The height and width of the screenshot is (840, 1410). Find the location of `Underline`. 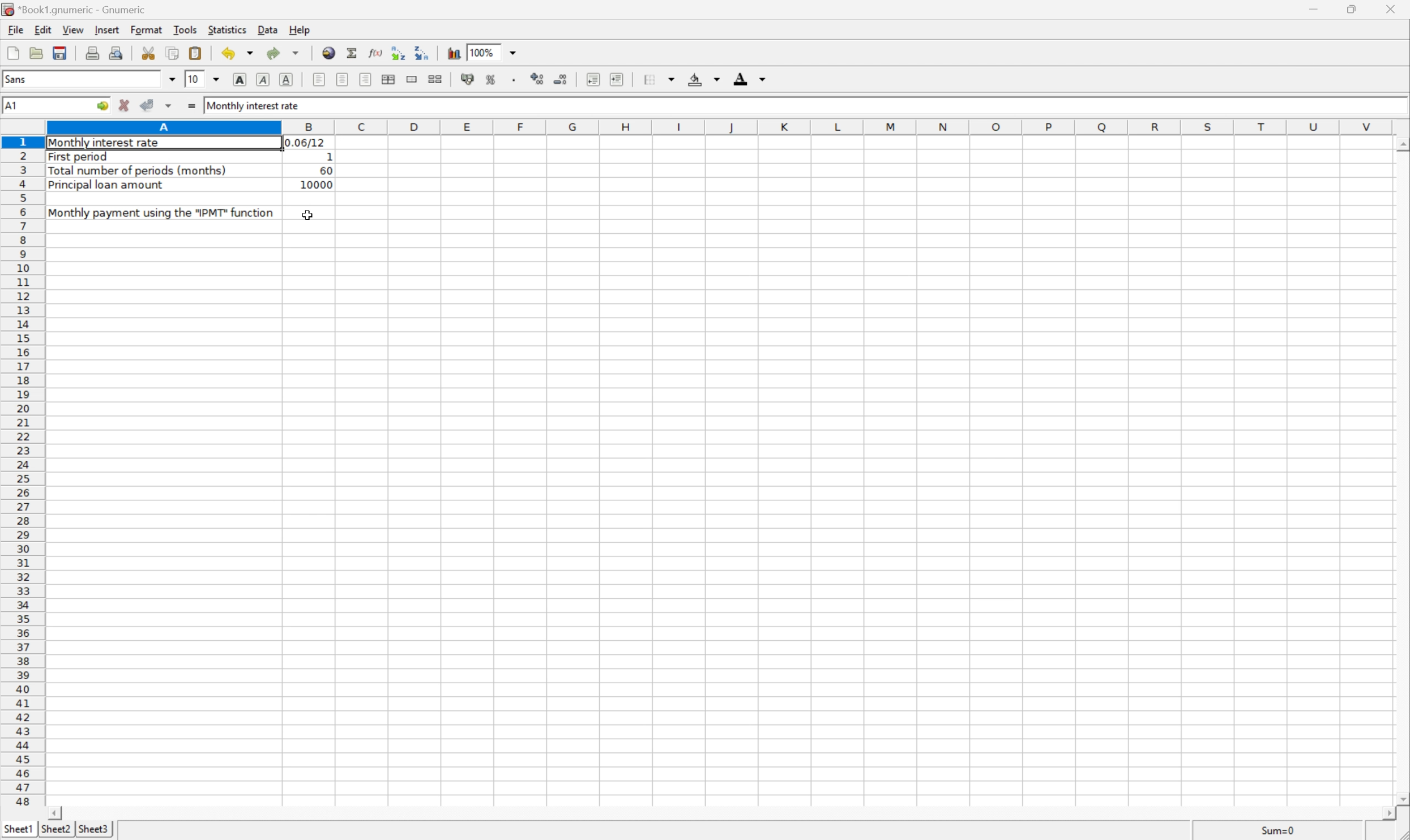

Underline is located at coordinates (287, 78).